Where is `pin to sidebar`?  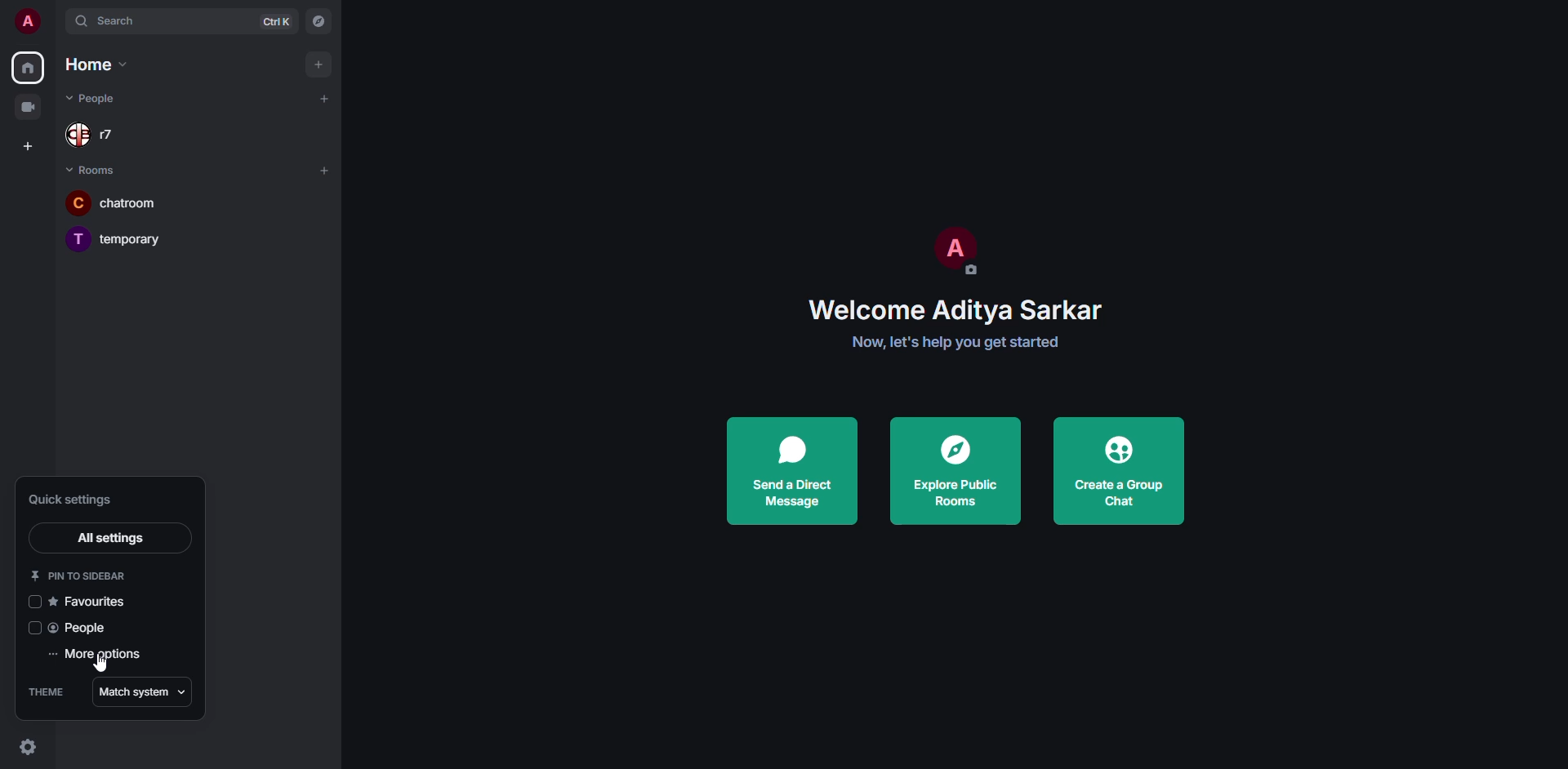
pin to sidebar is located at coordinates (82, 573).